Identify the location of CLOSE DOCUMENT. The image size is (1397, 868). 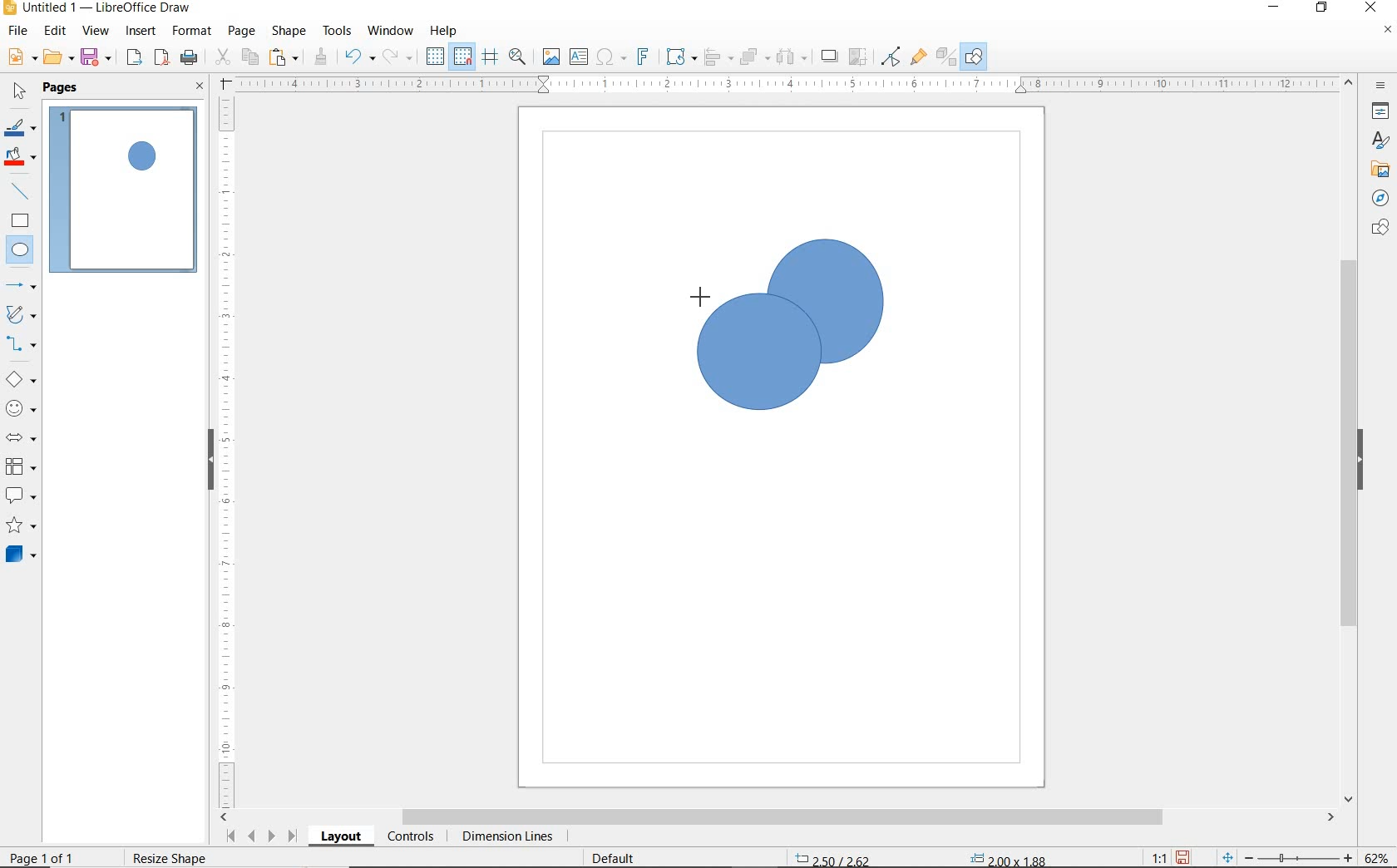
(1387, 32).